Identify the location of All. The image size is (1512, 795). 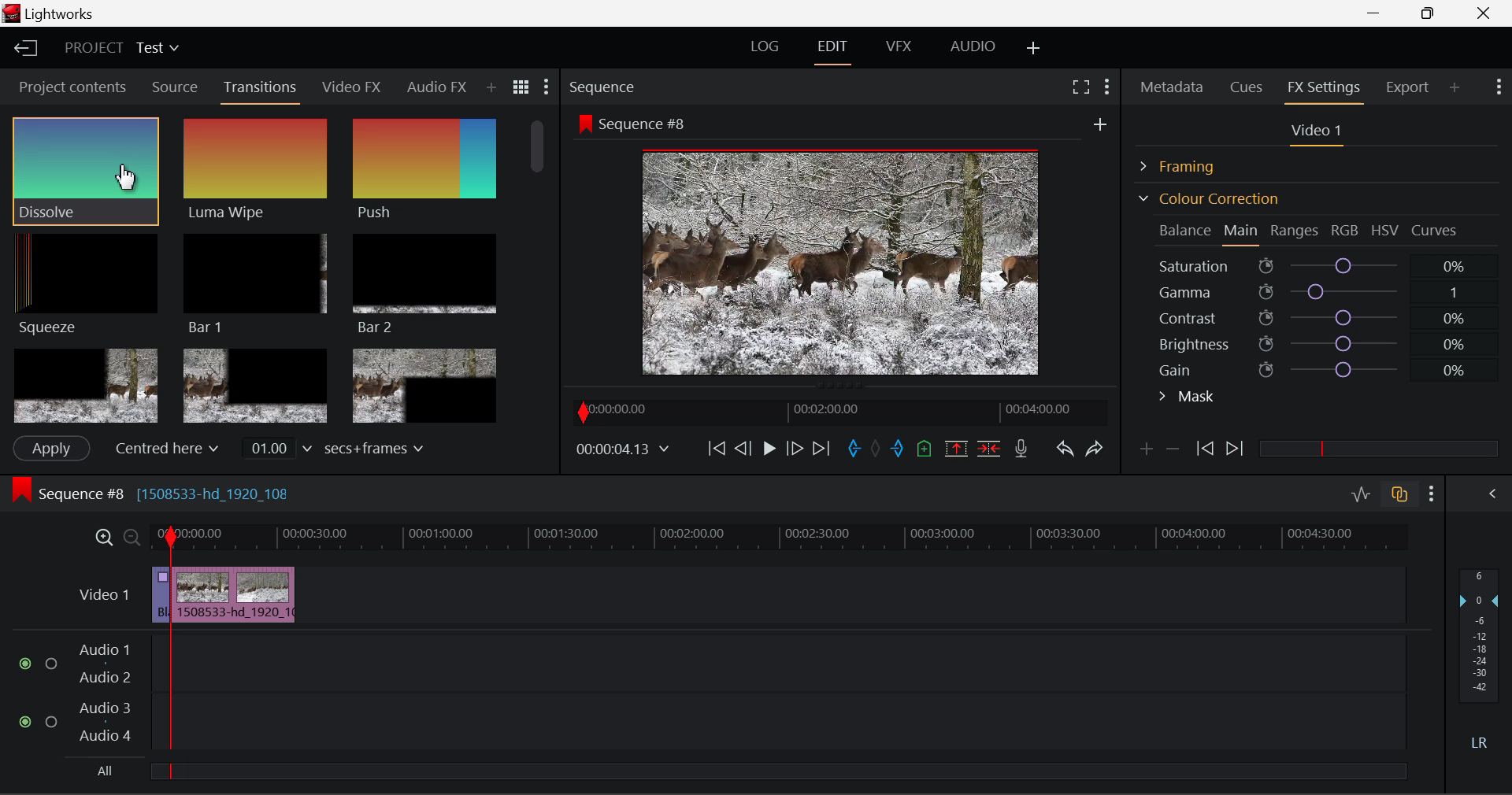
(102, 773).